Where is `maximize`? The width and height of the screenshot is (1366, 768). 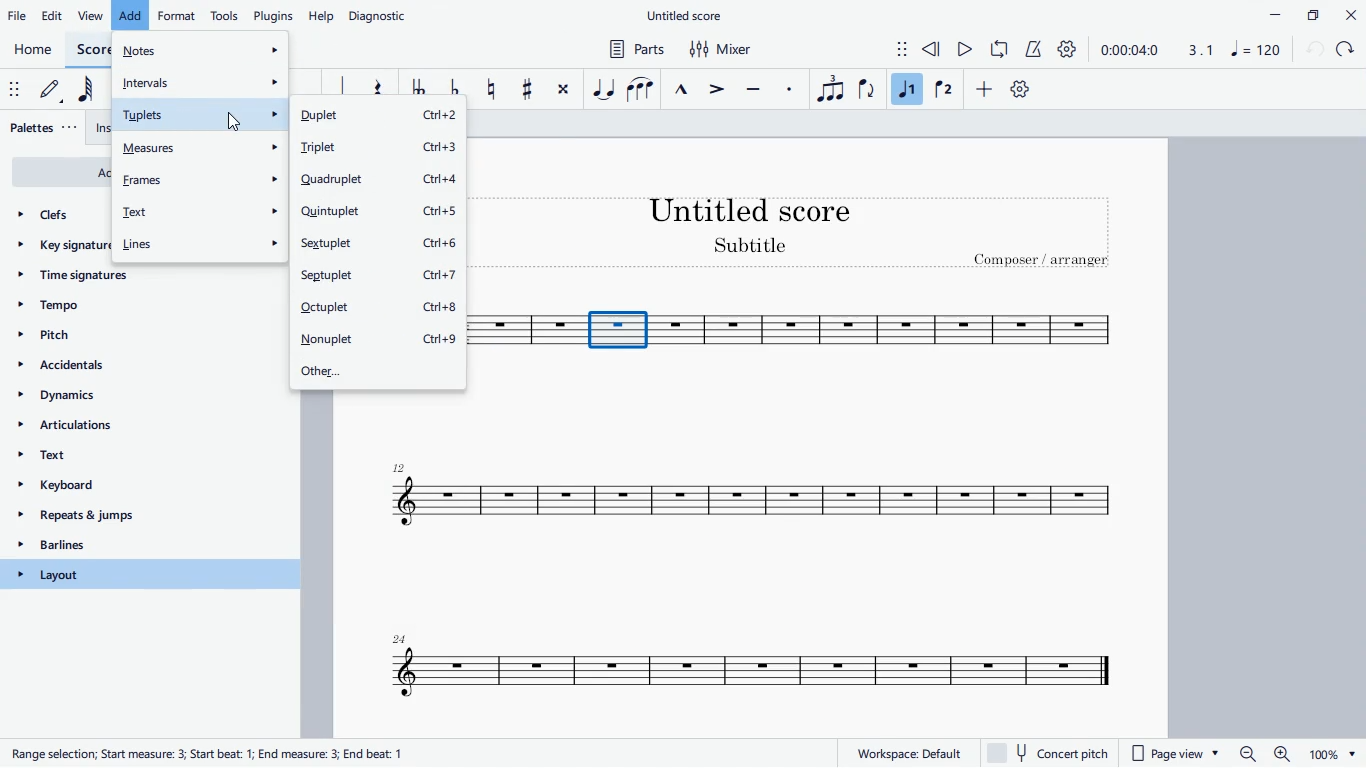 maximize is located at coordinates (1312, 14).